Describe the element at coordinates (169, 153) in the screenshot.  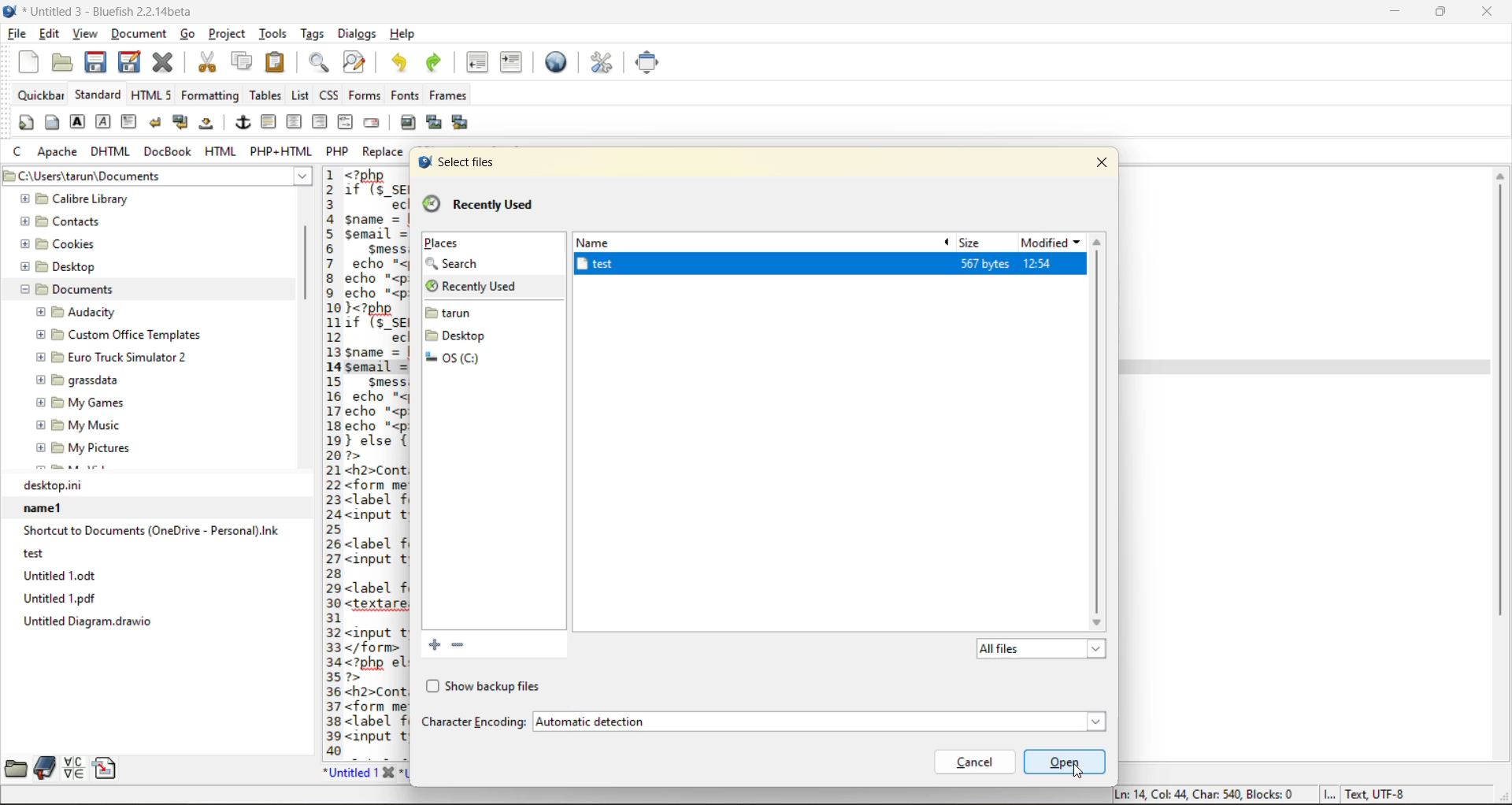
I see `docbook` at that location.